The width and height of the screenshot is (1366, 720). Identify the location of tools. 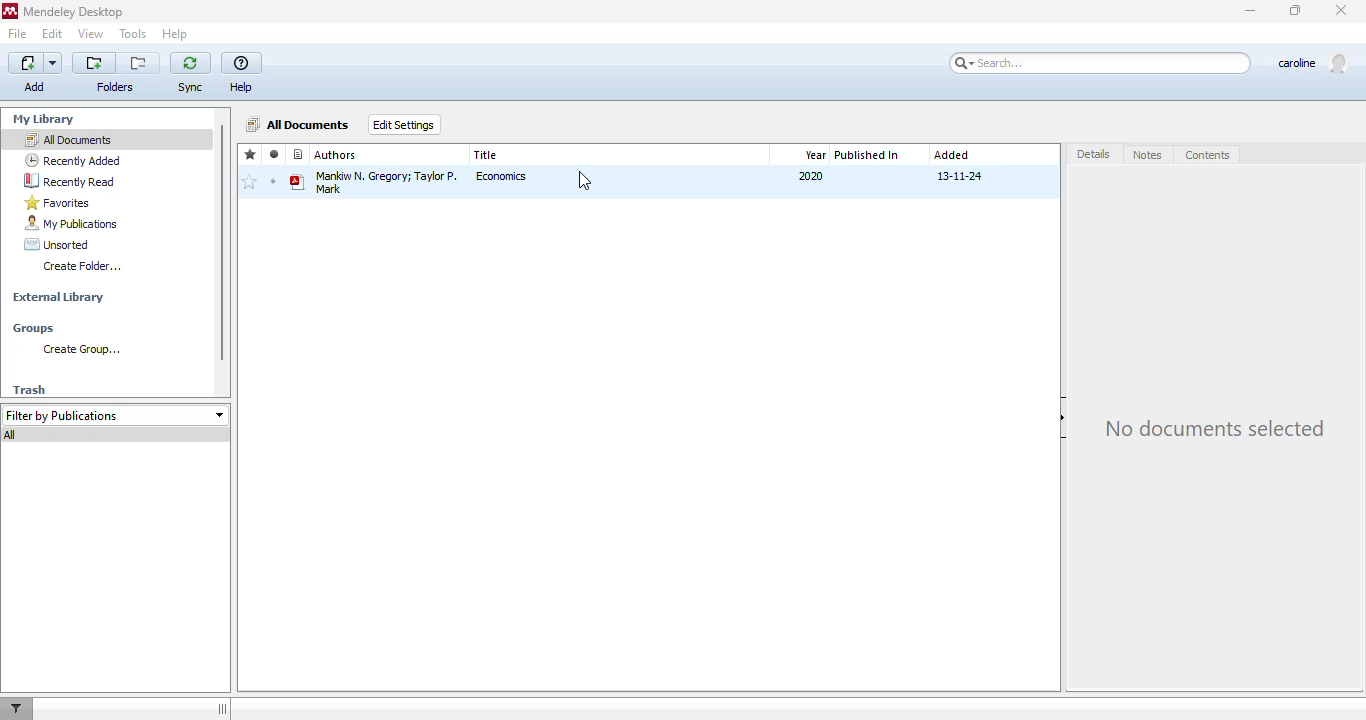
(132, 34).